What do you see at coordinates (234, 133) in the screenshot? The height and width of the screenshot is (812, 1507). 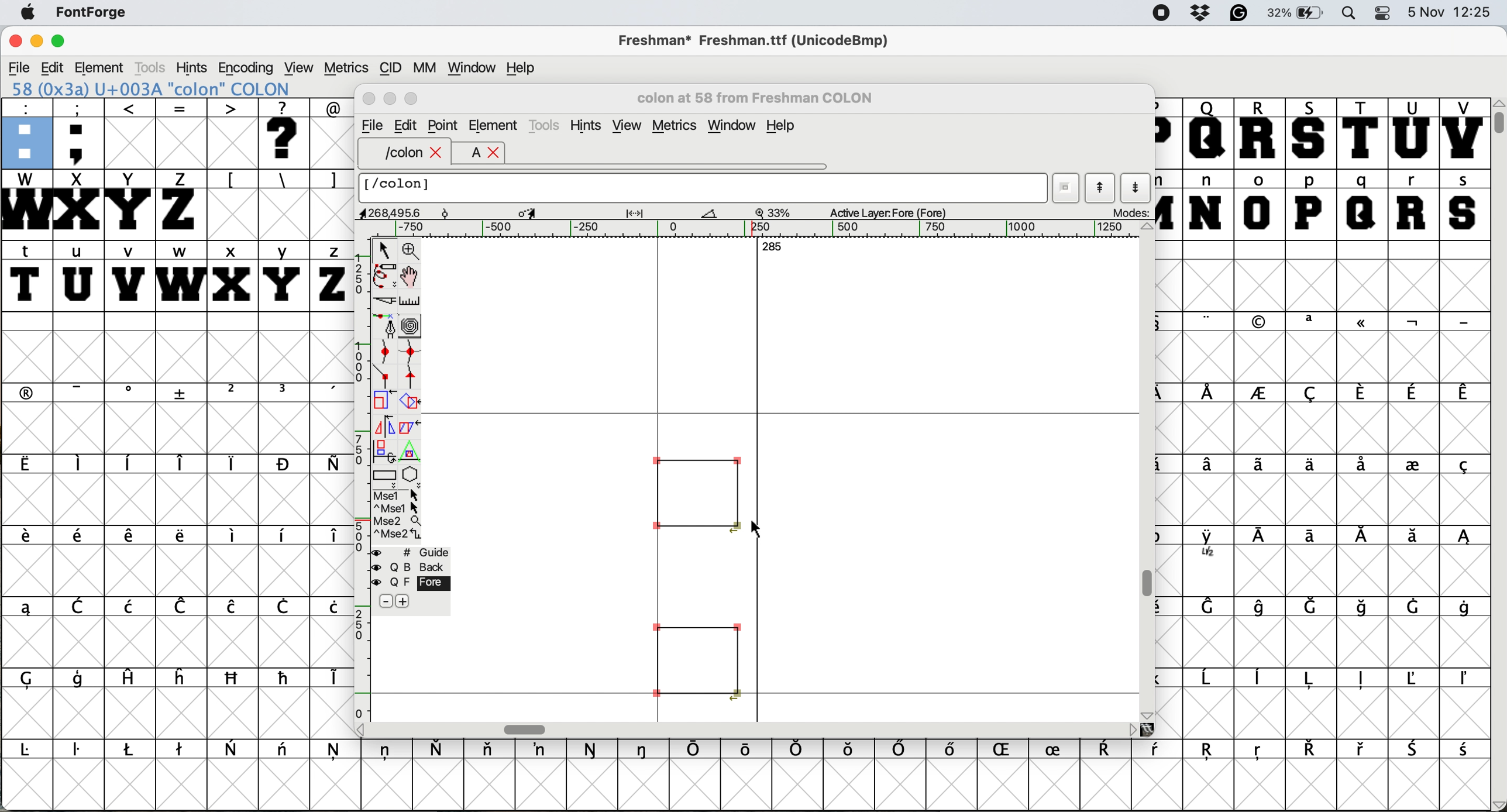 I see `>` at bounding box center [234, 133].